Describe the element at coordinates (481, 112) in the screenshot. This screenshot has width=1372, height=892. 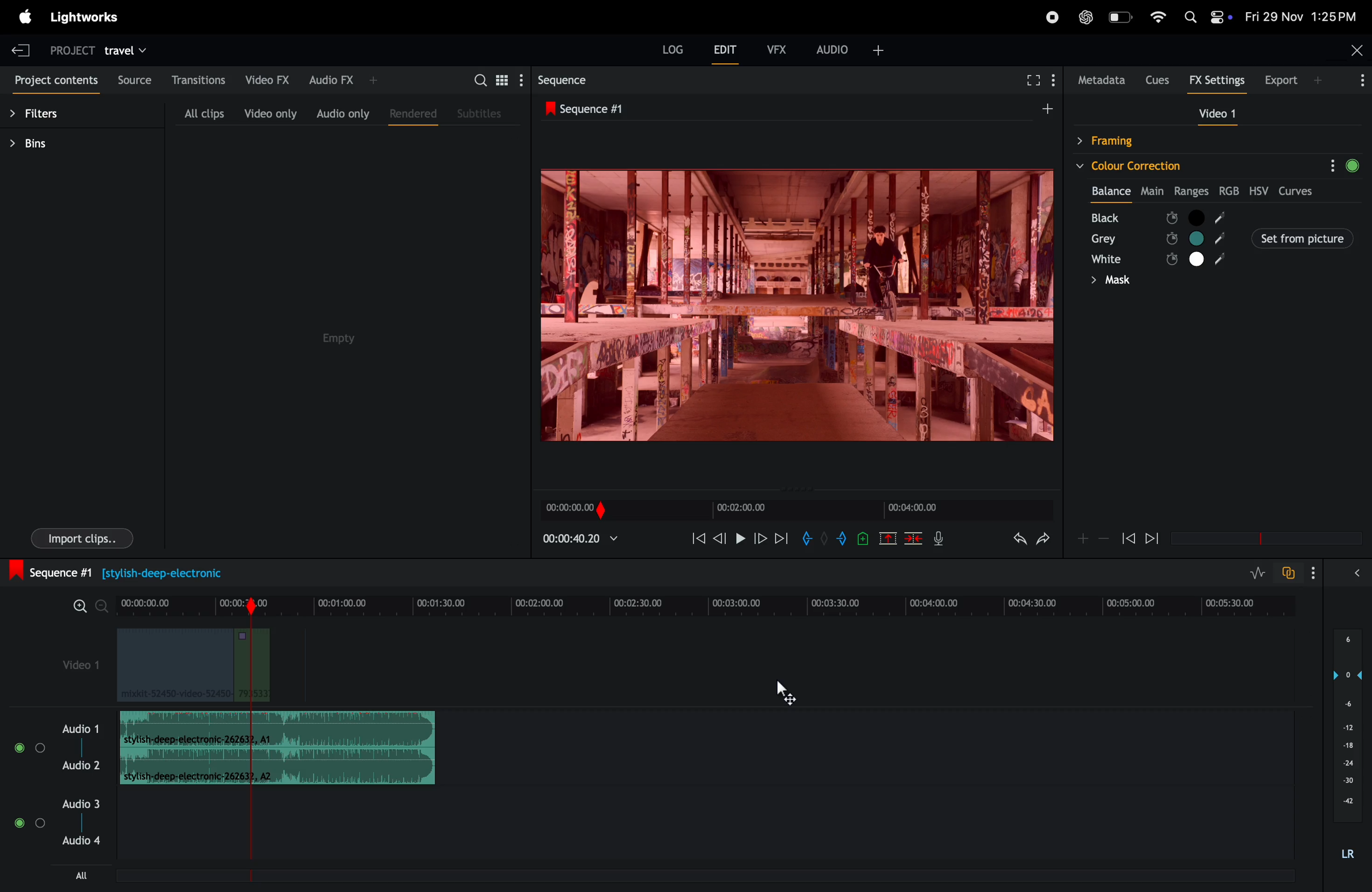
I see `subtitles` at that location.